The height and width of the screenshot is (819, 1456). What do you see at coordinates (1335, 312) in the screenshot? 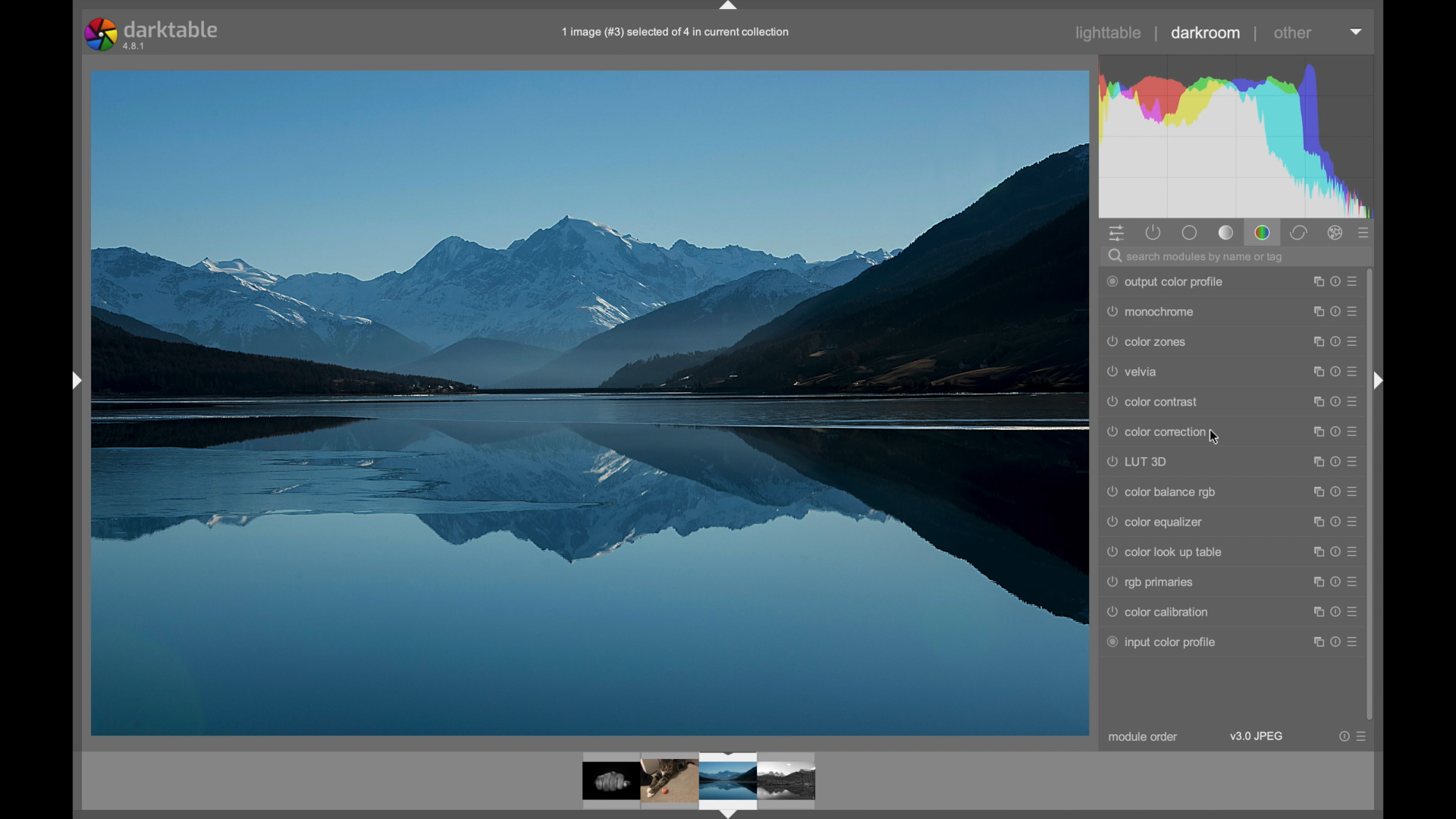
I see `more options` at bounding box center [1335, 312].